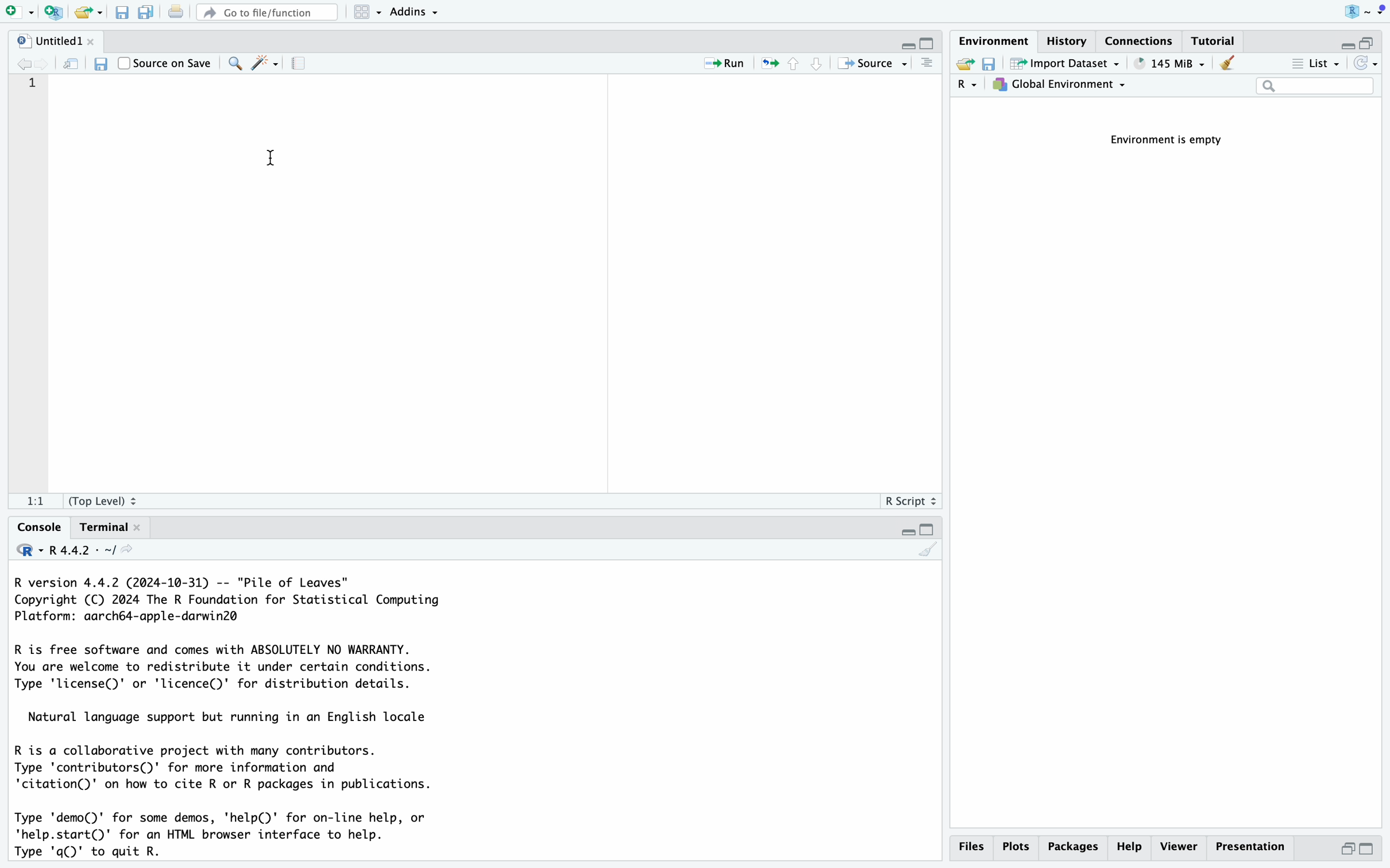 This screenshot has width=1390, height=868. What do you see at coordinates (767, 65) in the screenshot?
I see `re-run the previous code region` at bounding box center [767, 65].